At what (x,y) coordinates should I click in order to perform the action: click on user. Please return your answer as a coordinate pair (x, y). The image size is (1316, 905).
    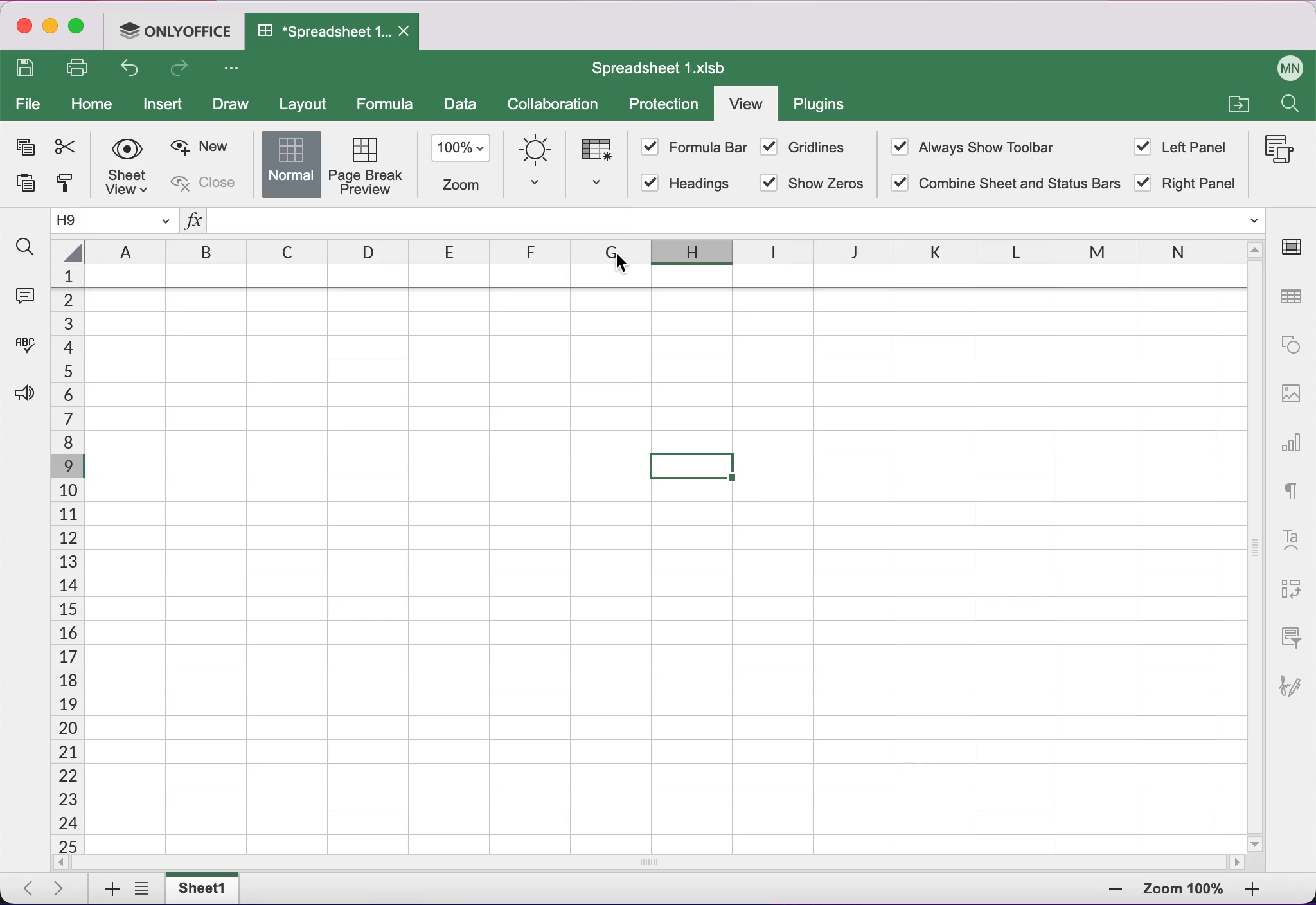
    Looking at the image, I should click on (1283, 66).